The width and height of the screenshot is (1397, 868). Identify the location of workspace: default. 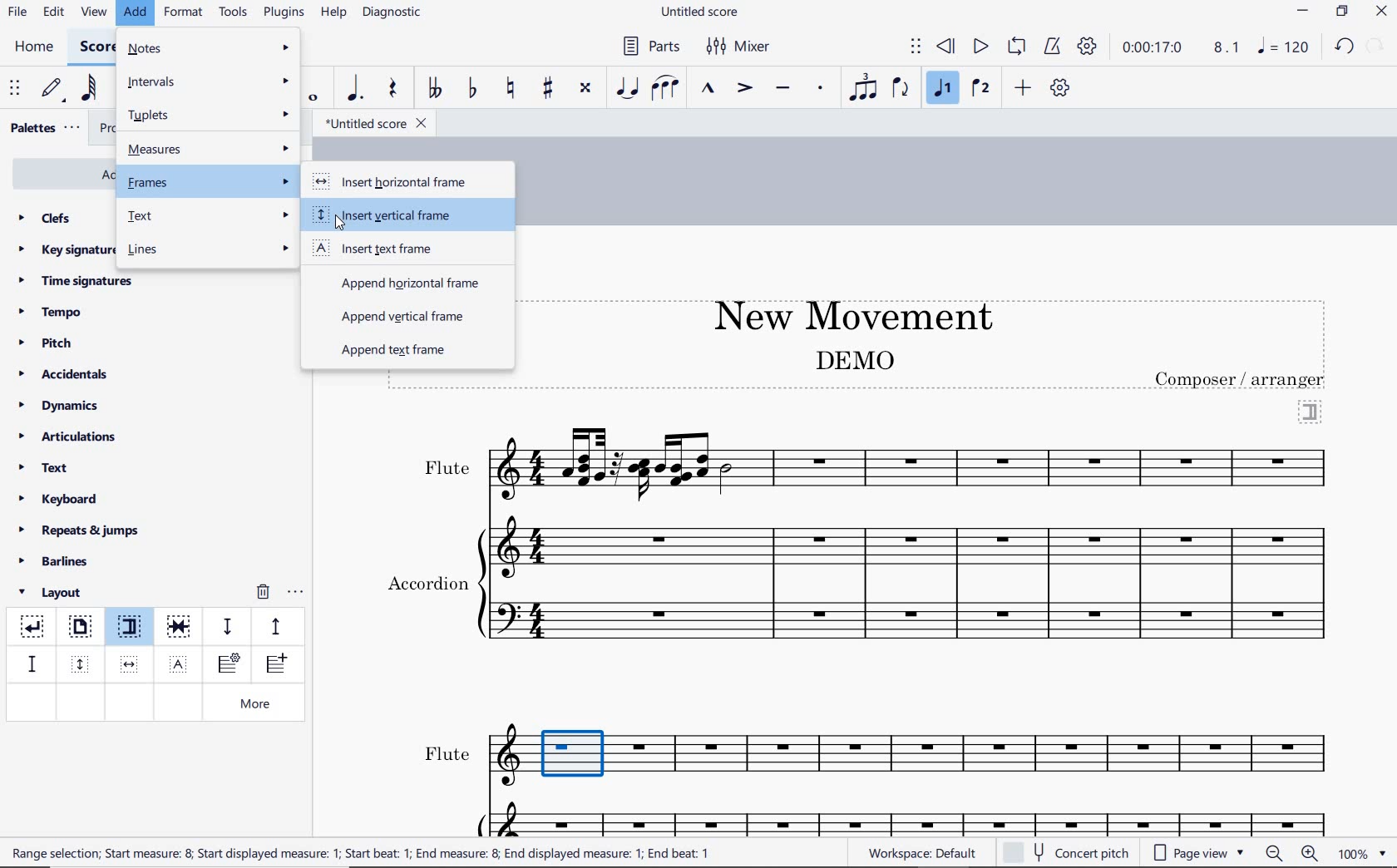
(920, 852).